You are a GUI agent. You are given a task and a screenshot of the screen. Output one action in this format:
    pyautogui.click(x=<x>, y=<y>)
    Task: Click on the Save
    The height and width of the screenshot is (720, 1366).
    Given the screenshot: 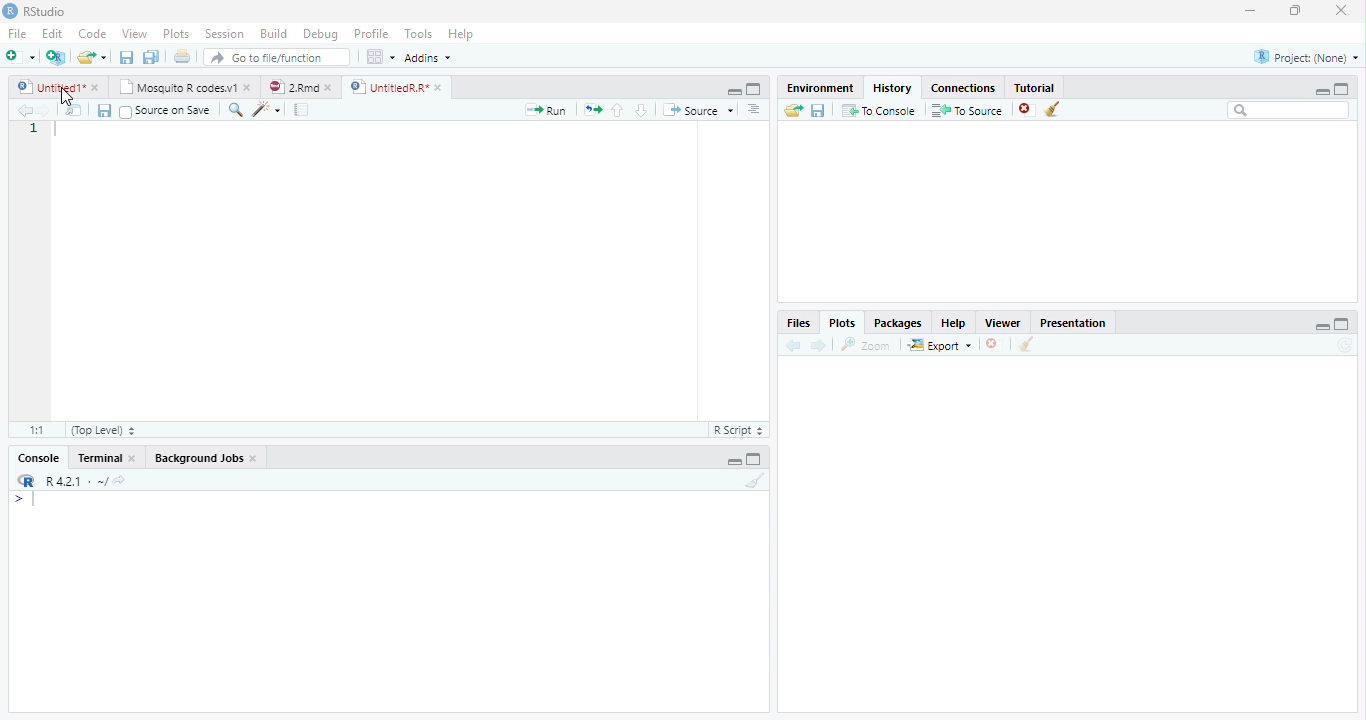 What is the action you would take?
    pyautogui.click(x=102, y=109)
    